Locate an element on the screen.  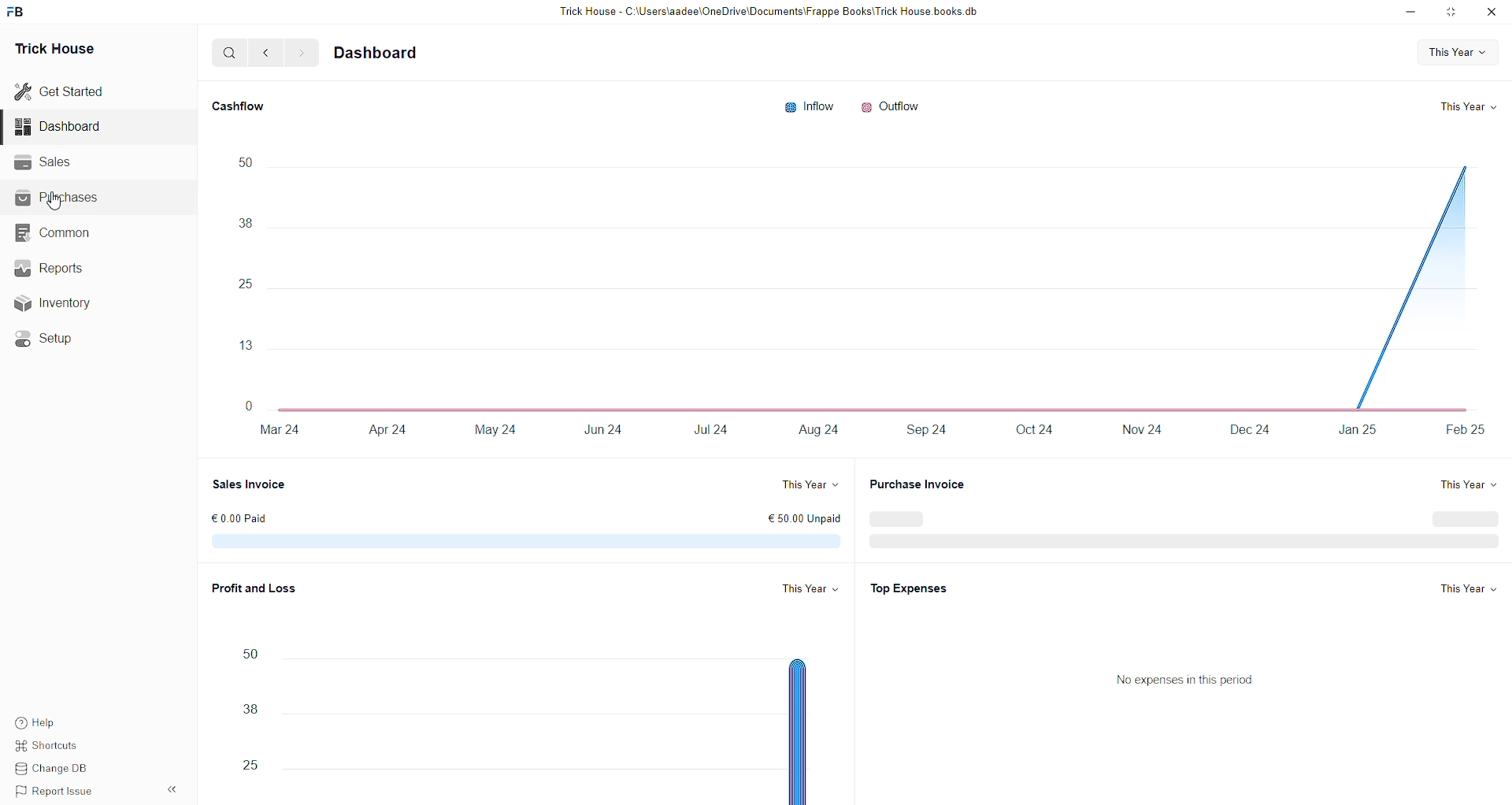
Help is located at coordinates (35, 723).